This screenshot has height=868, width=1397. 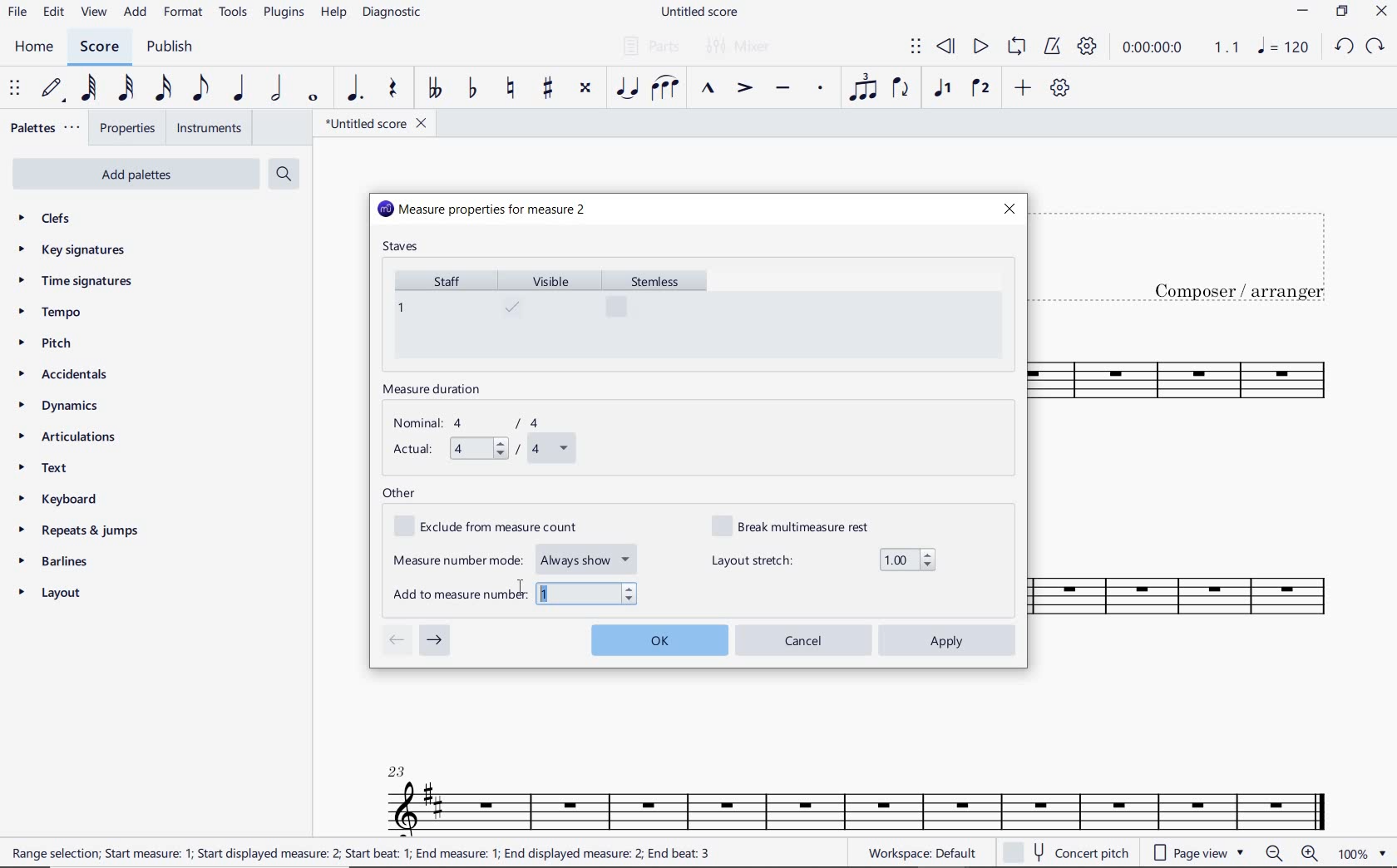 I want to click on RESTORE DOWN, so click(x=1342, y=13).